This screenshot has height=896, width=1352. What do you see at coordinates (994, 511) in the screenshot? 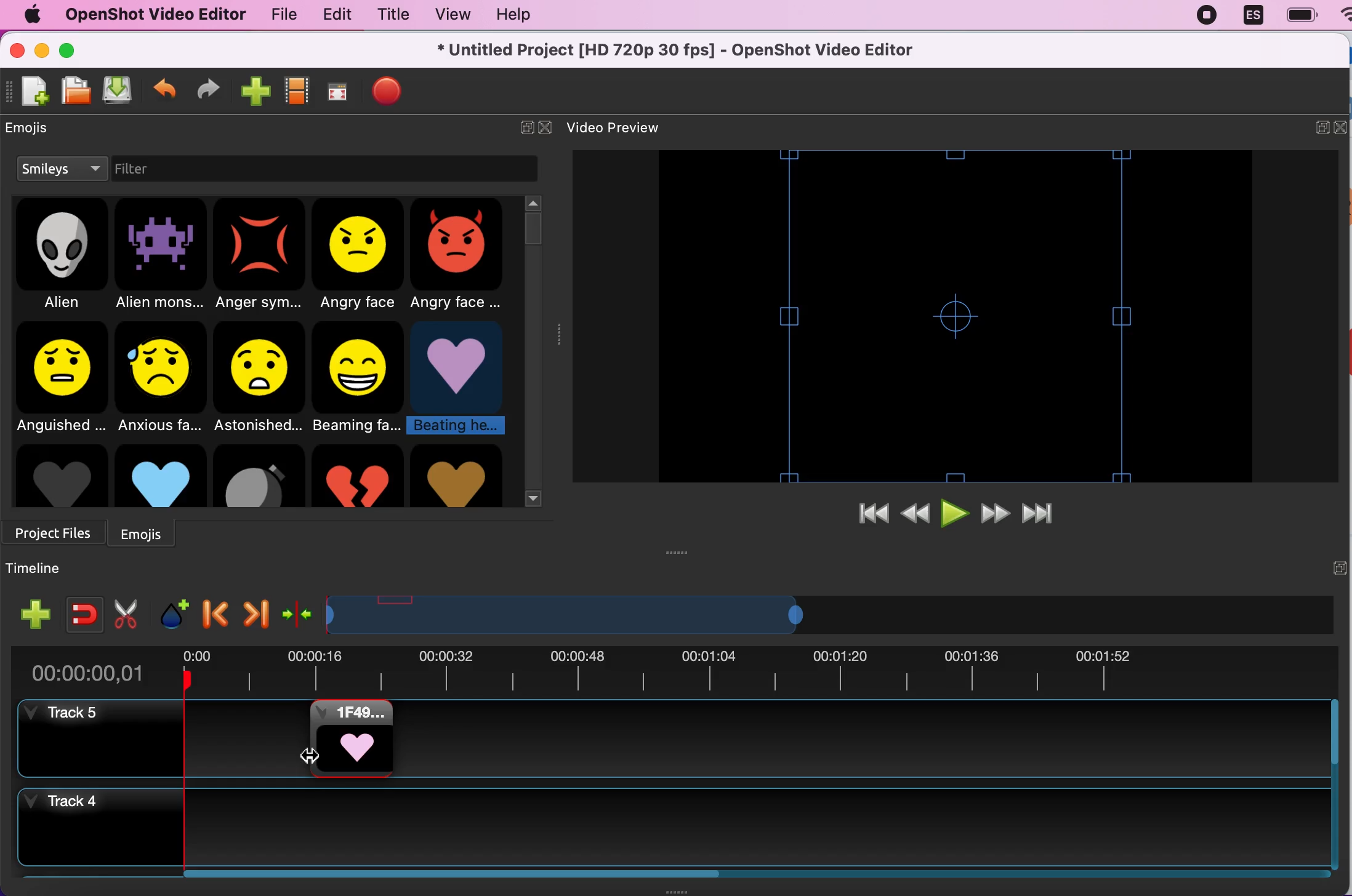
I see `fast forward` at bounding box center [994, 511].